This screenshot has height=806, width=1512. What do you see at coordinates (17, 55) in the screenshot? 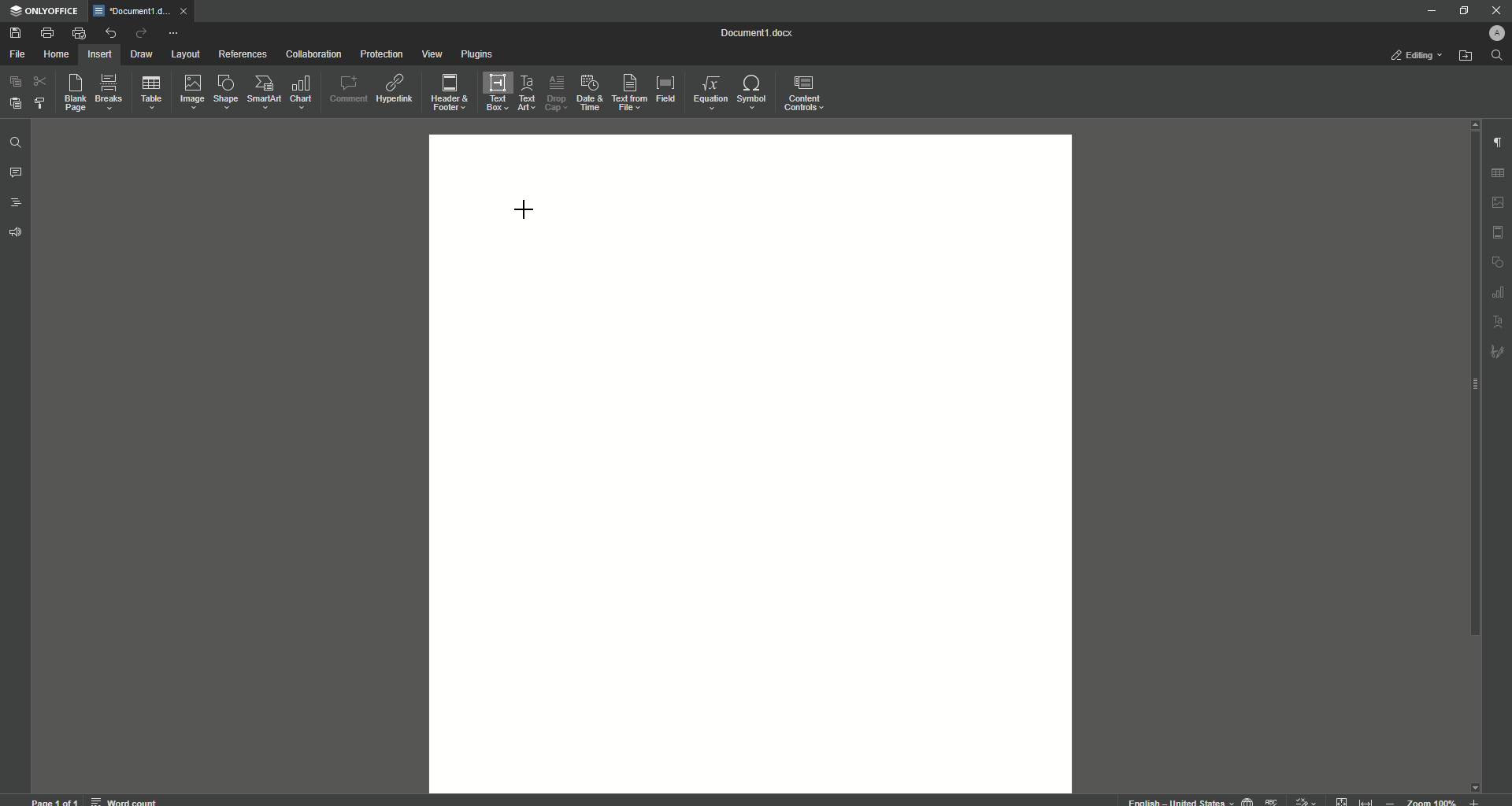
I see `File` at bounding box center [17, 55].